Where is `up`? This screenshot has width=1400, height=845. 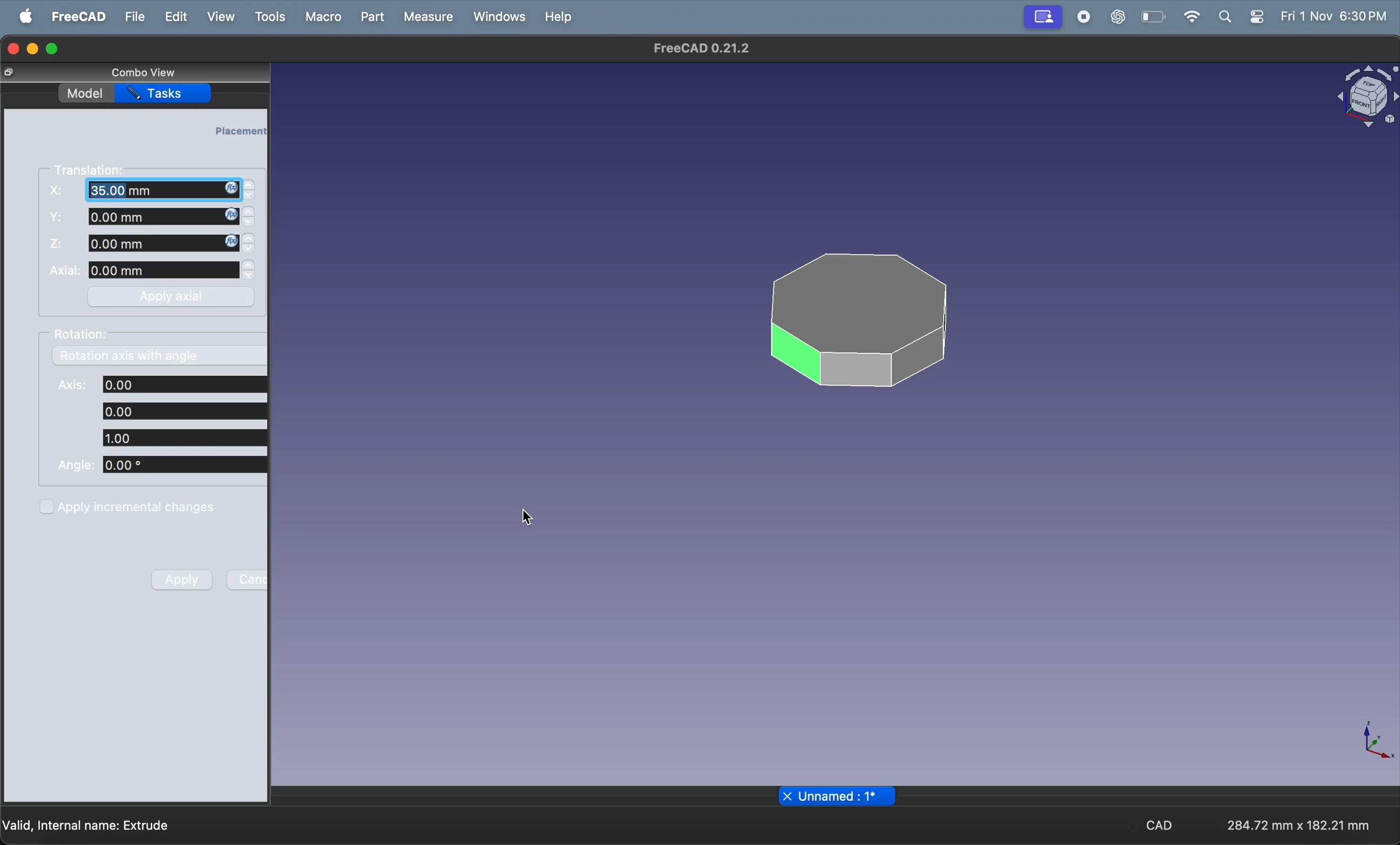
up is located at coordinates (250, 238).